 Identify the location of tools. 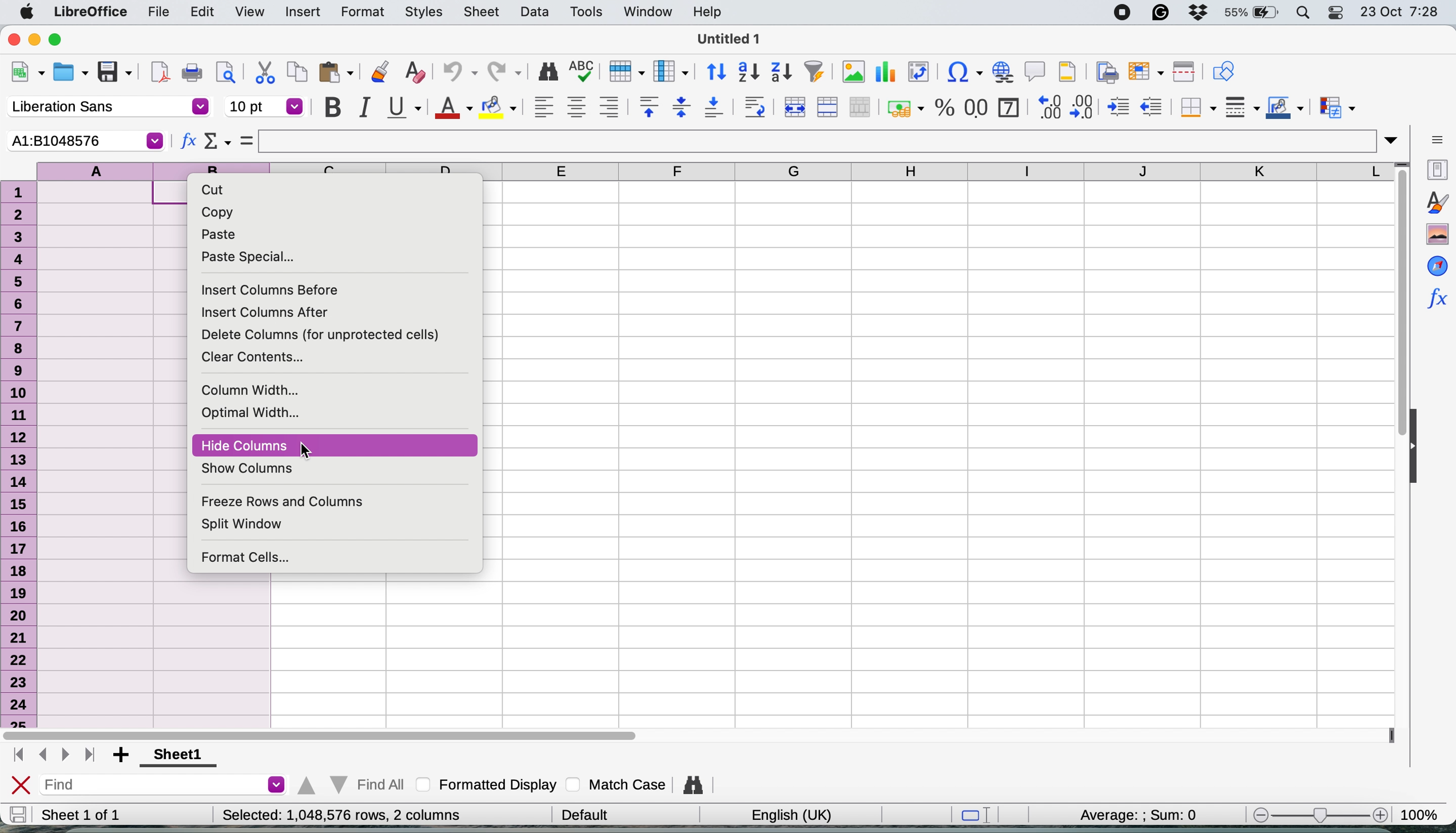
(586, 11).